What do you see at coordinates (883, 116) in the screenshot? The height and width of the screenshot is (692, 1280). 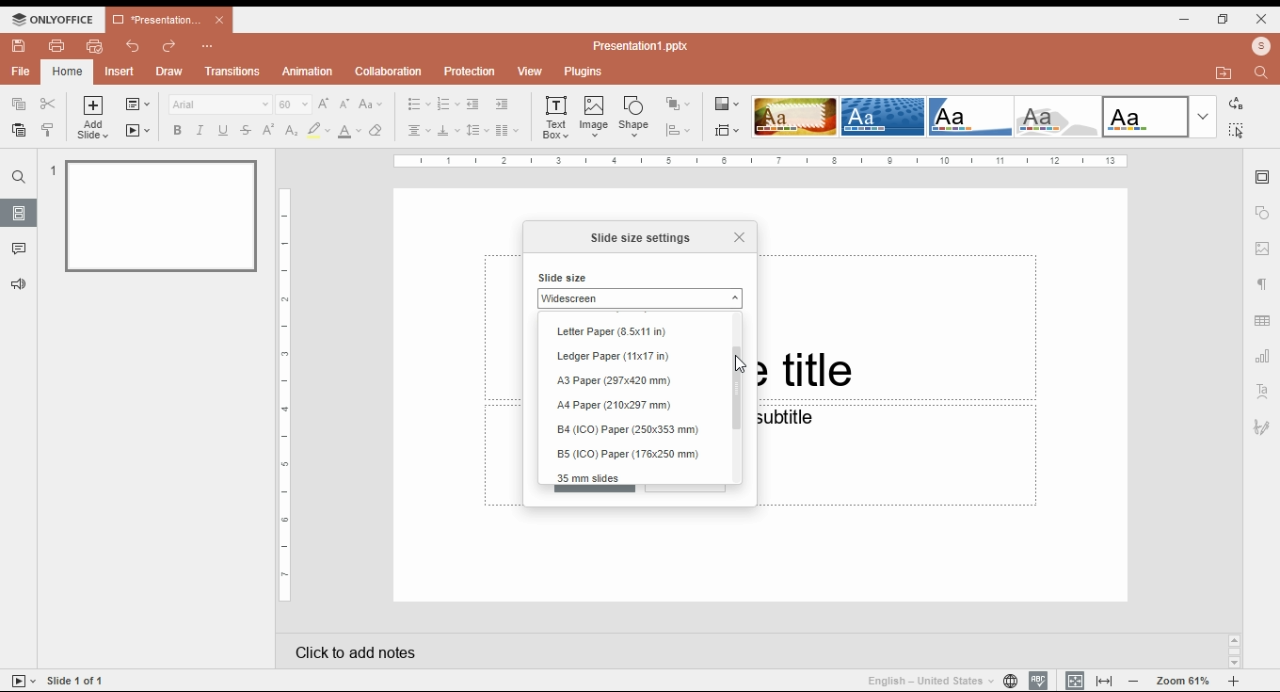 I see `slide them option` at bounding box center [883, 116].